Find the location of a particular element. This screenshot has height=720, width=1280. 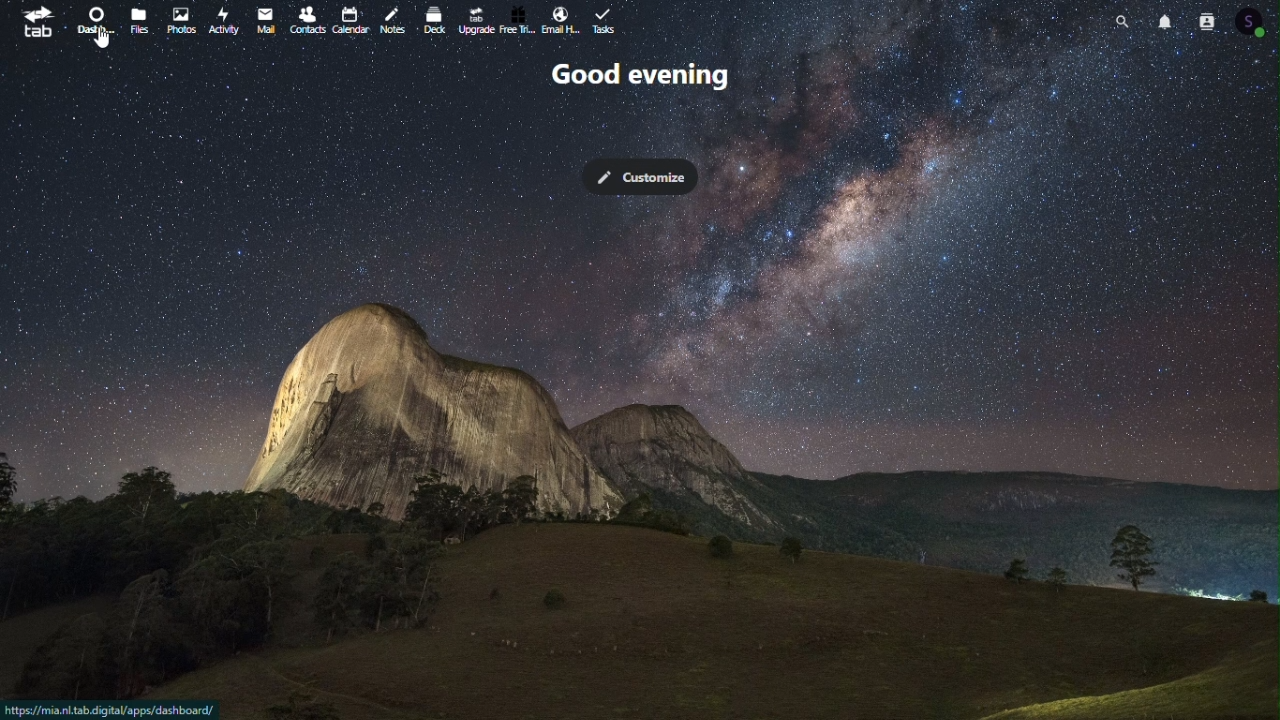

Contacts is located at coordinates (306, 18).